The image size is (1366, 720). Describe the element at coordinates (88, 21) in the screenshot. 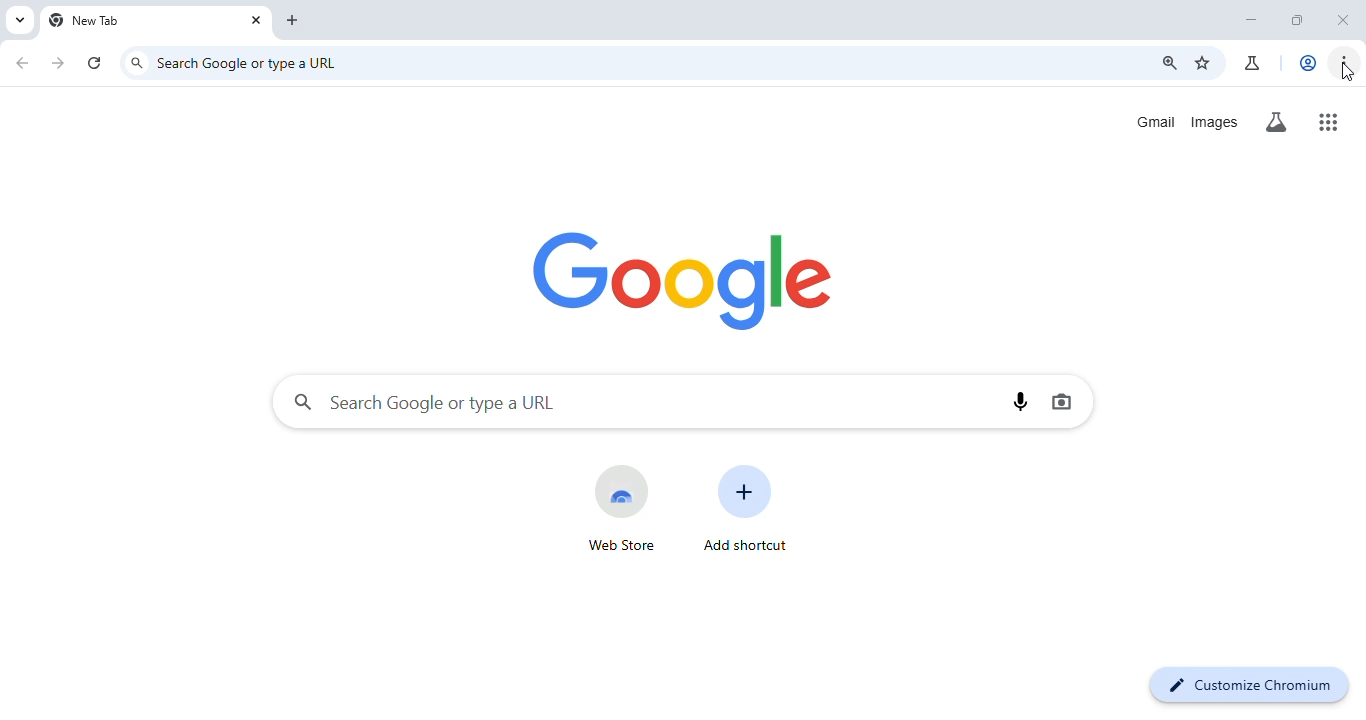

I see `new tab` at that location.